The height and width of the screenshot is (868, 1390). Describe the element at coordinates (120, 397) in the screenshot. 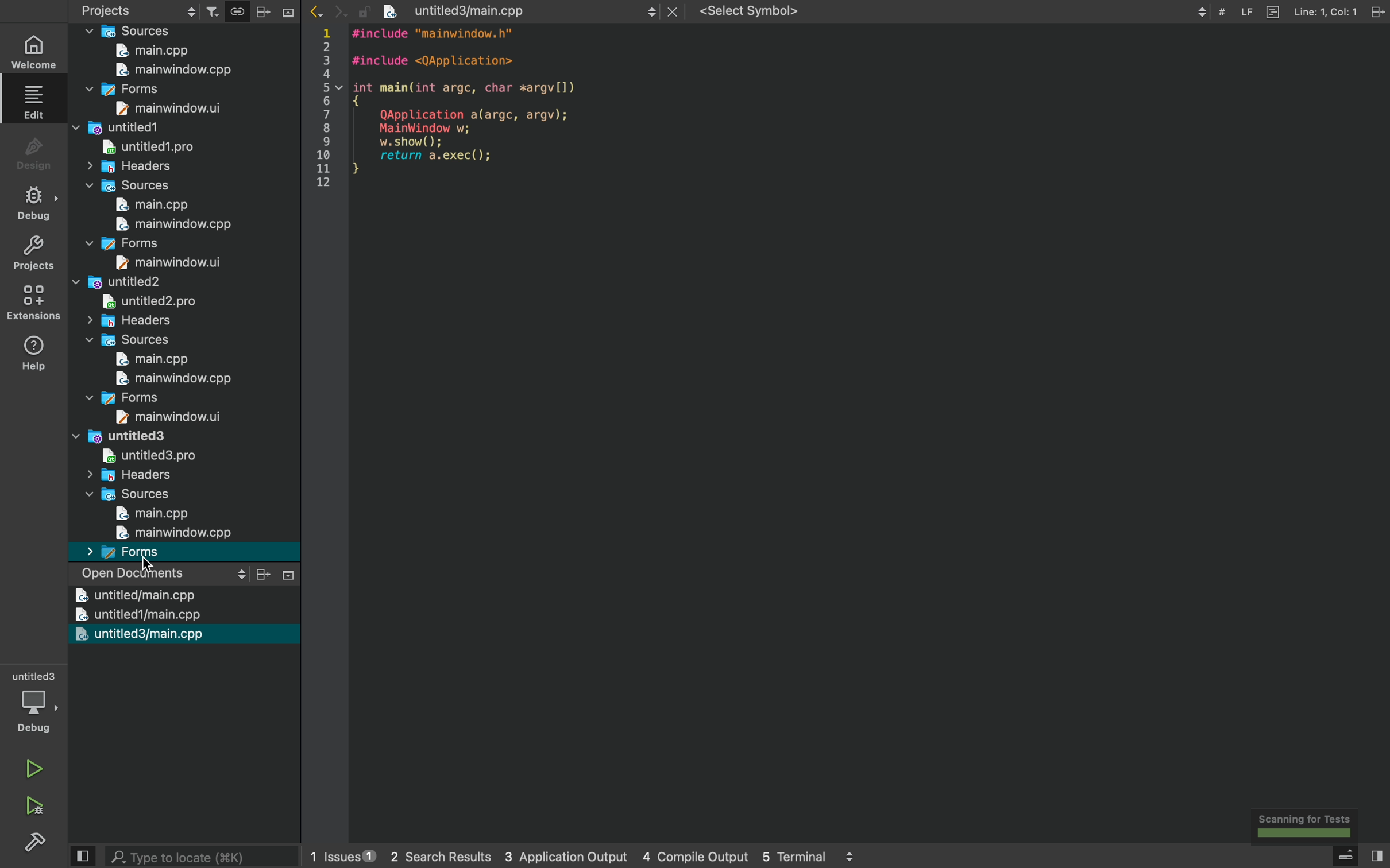

I see `Forms` at that location.